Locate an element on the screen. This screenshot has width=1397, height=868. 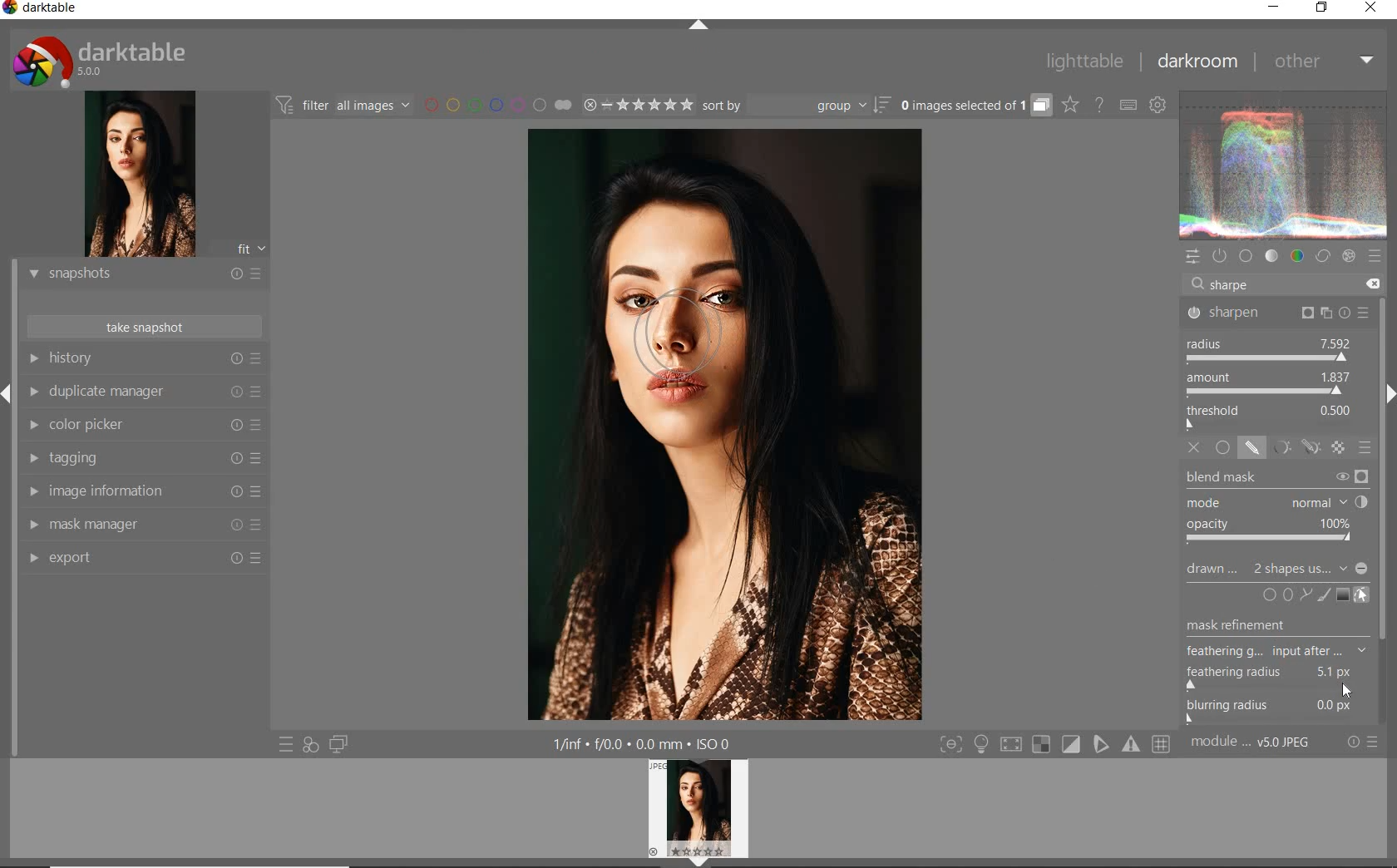
sign is located at coordinates (1103, 745).